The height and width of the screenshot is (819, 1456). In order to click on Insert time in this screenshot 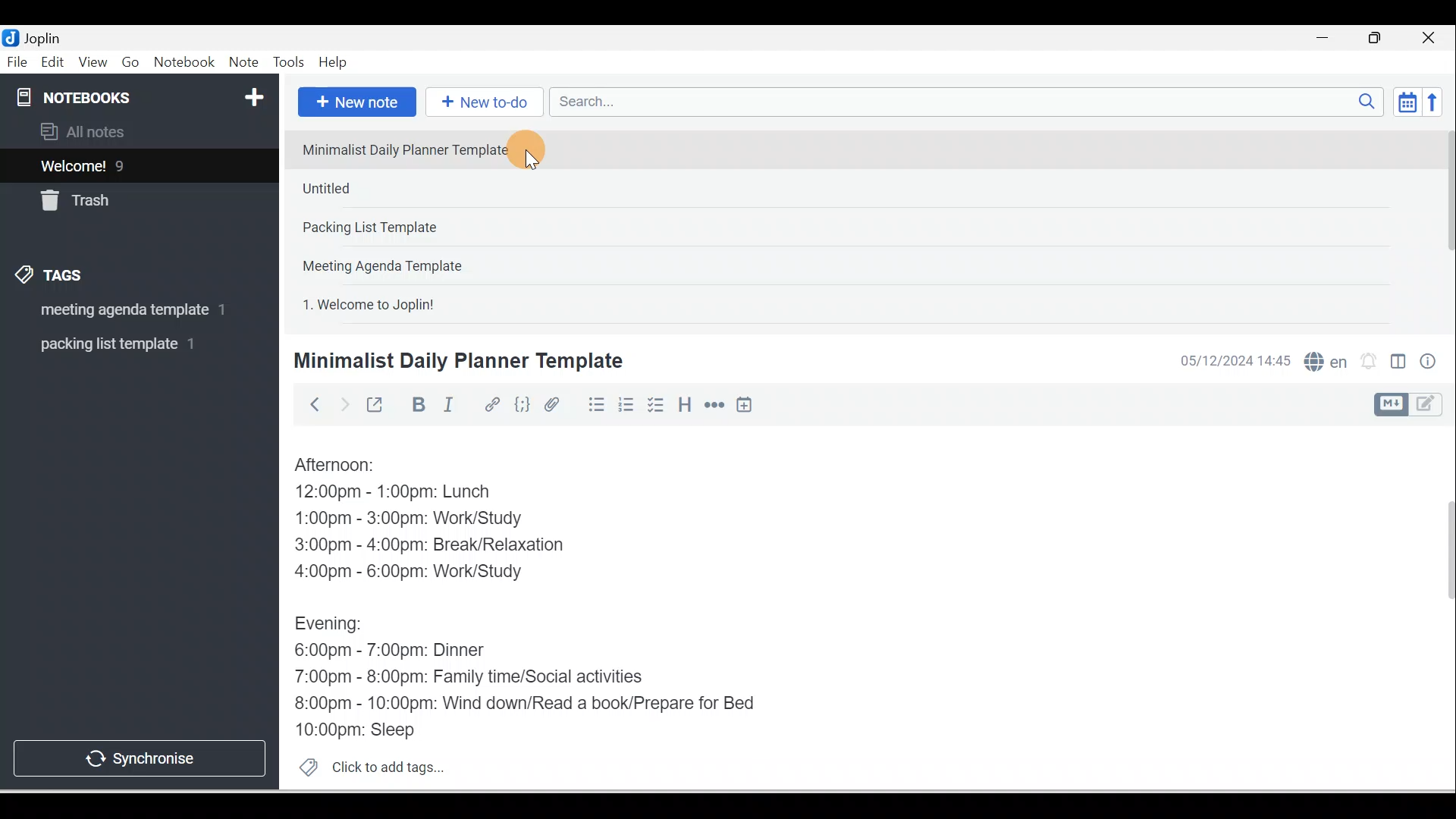, I will do `click(744, 406)`.